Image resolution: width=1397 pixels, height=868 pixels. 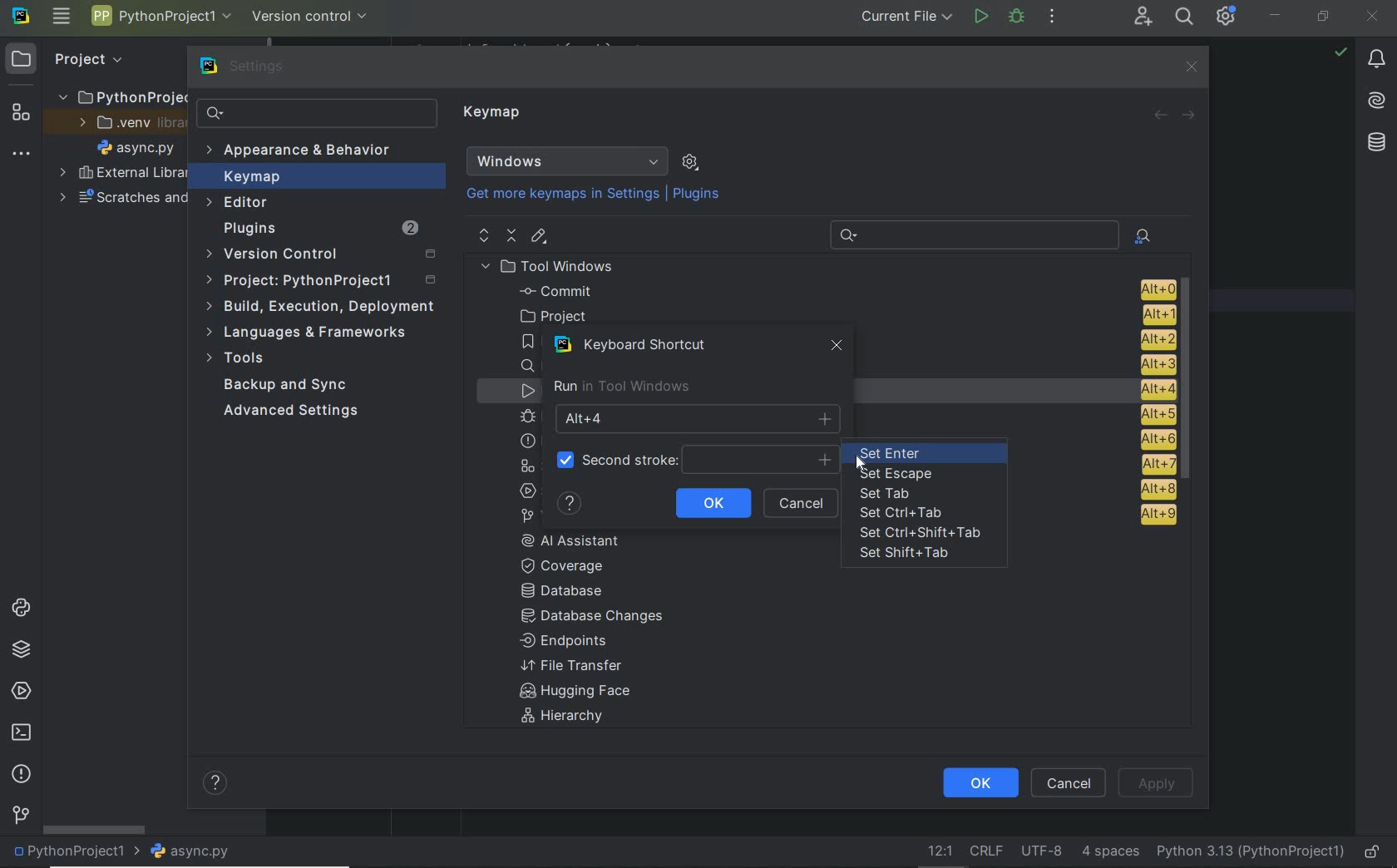 I want to click on terminal, so click(x=20, y=733).